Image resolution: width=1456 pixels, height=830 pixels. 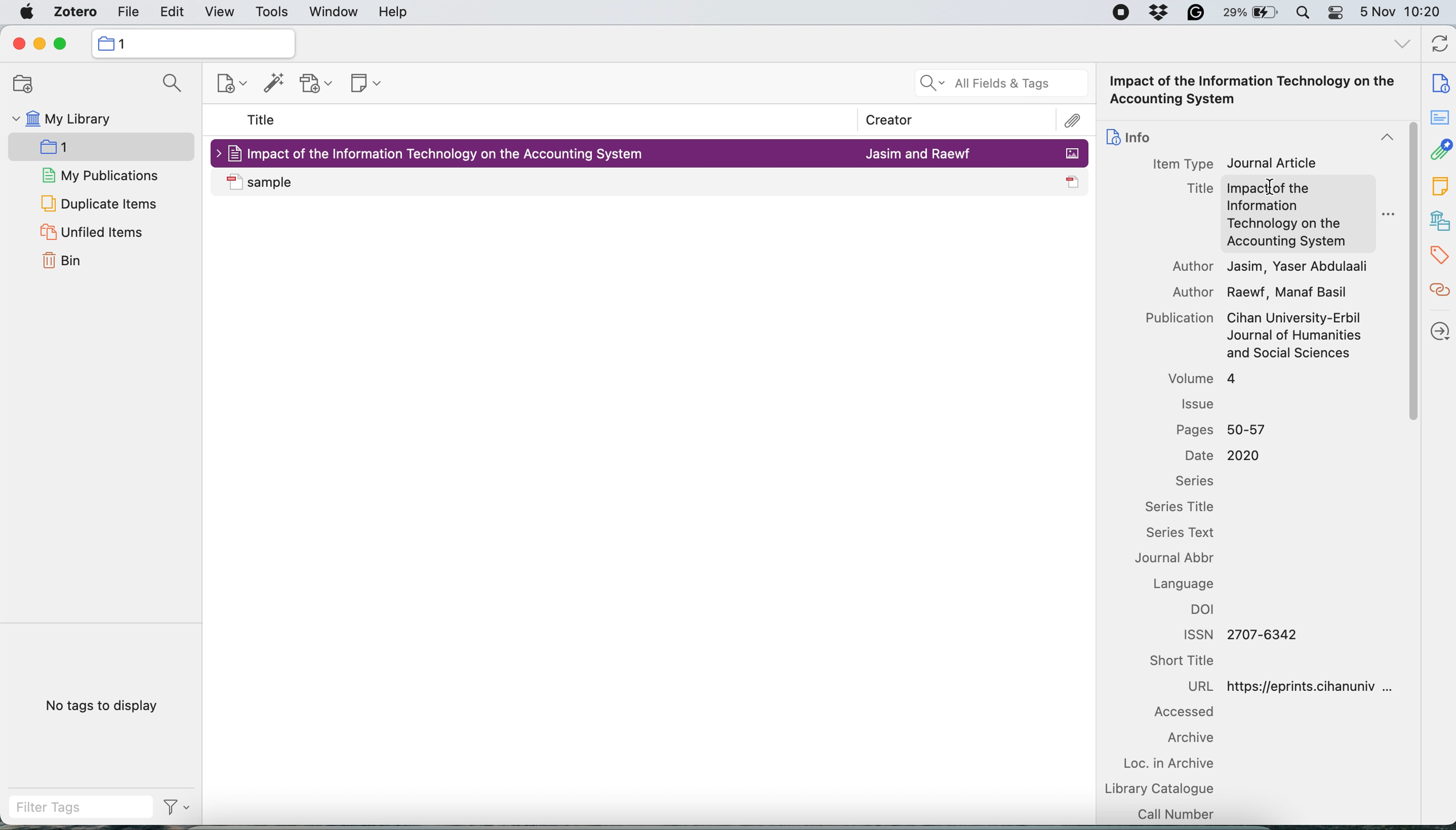 I want to click on view, so click(x=218, y=13).